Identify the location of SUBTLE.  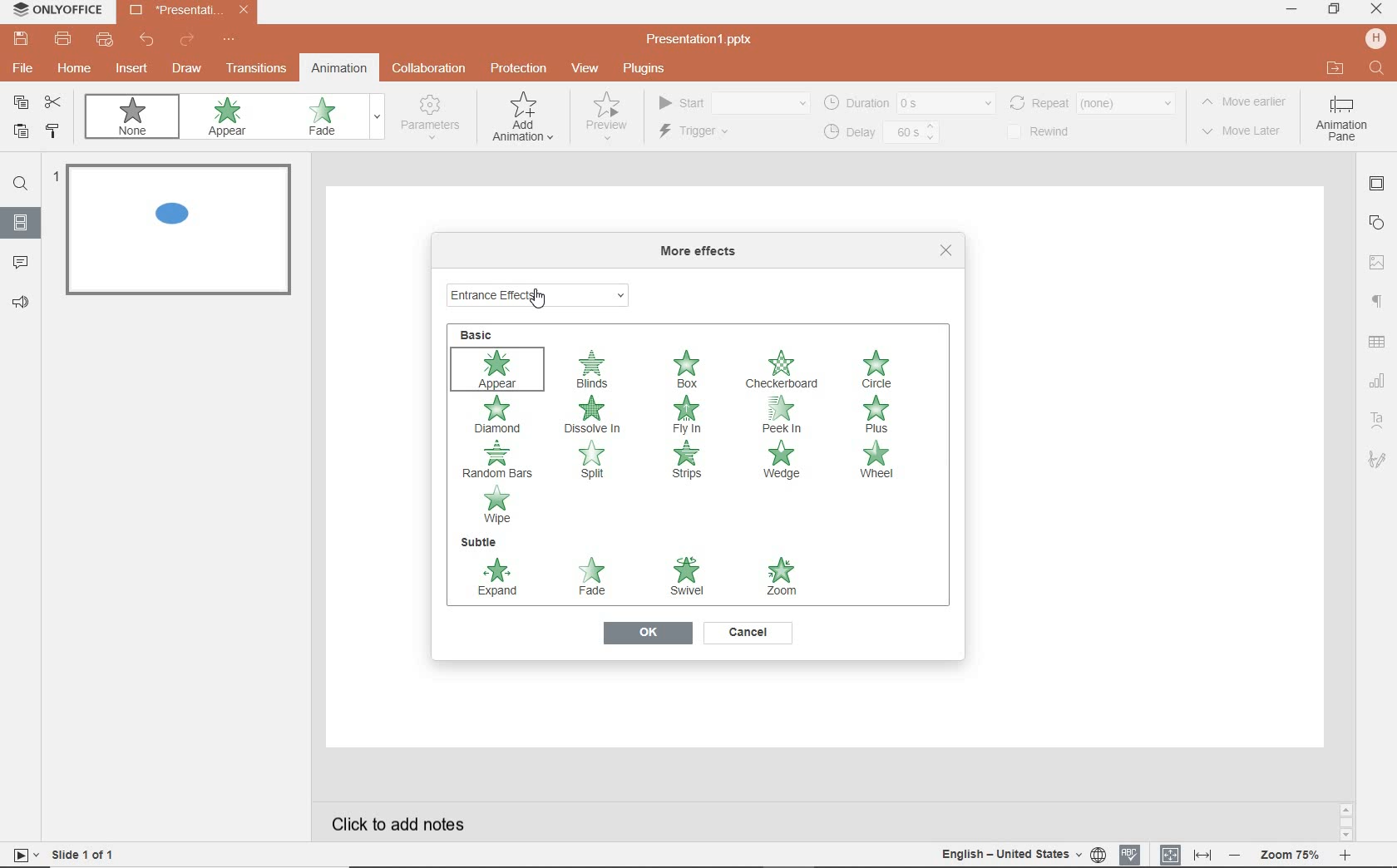
(478, 542).